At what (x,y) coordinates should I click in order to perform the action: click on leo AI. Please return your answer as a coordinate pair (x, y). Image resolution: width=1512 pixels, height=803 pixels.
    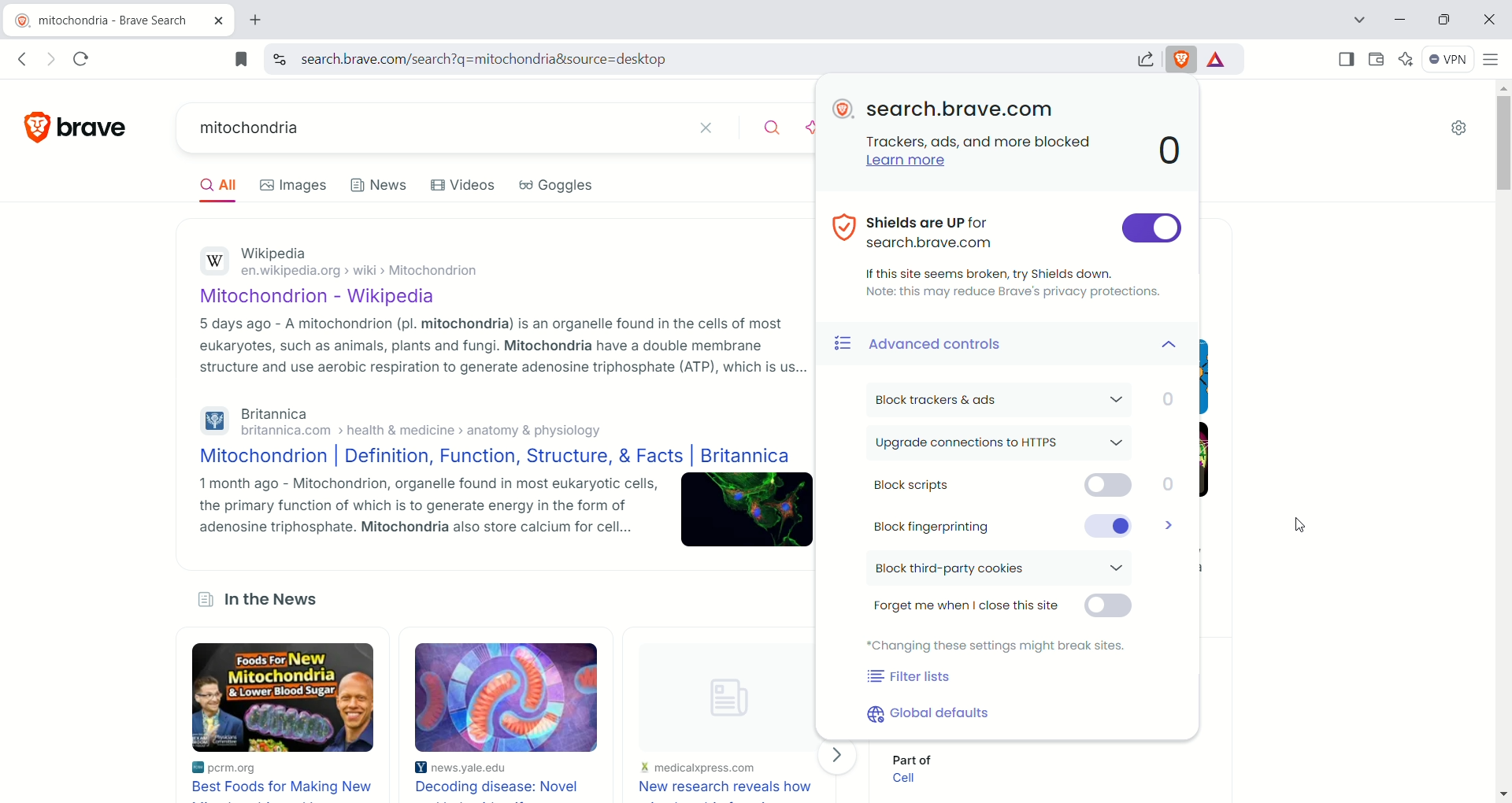
    Looking at the image, I should click on (1407, 58).